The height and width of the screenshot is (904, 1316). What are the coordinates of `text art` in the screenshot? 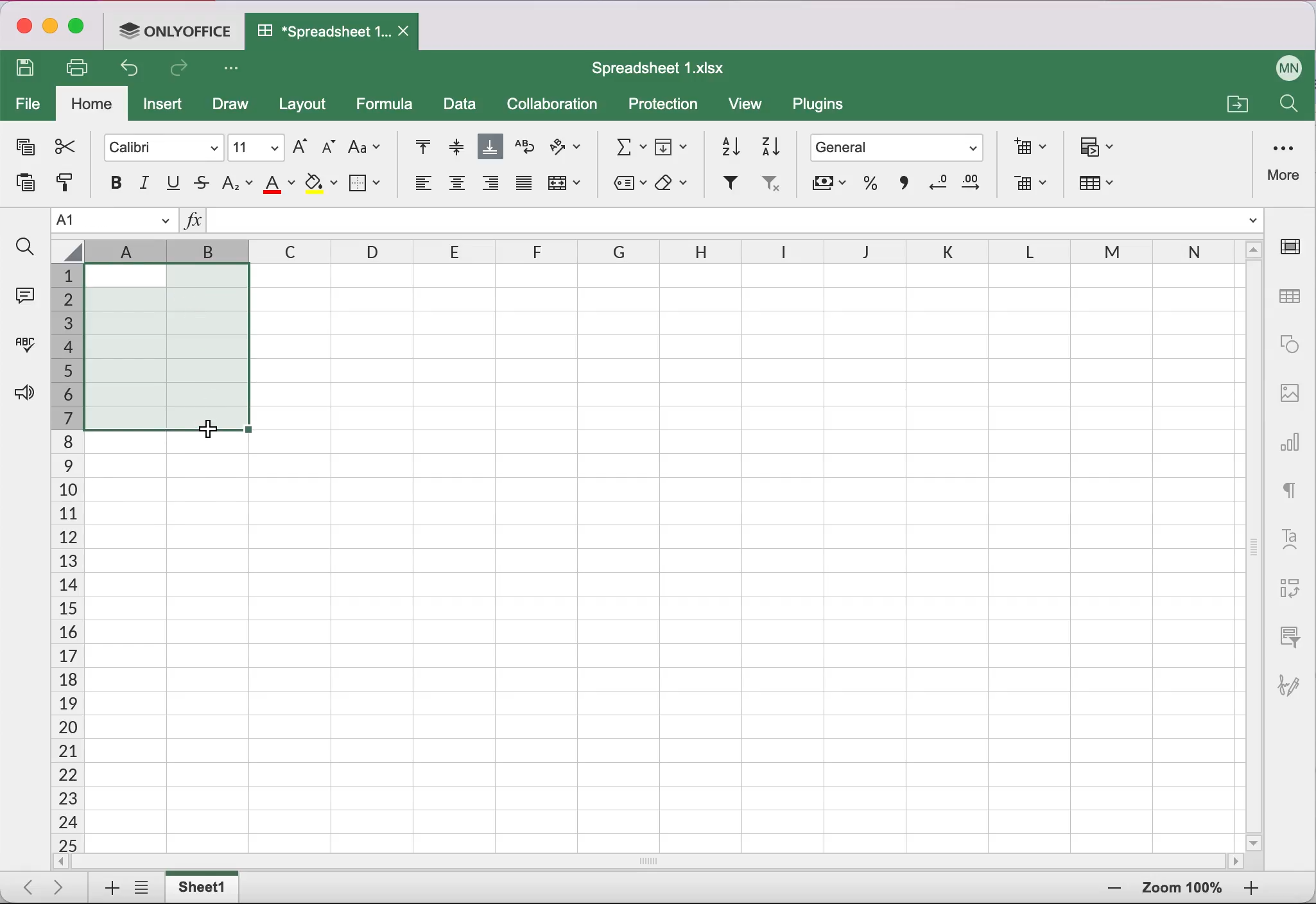 It's located at (1290, 537).